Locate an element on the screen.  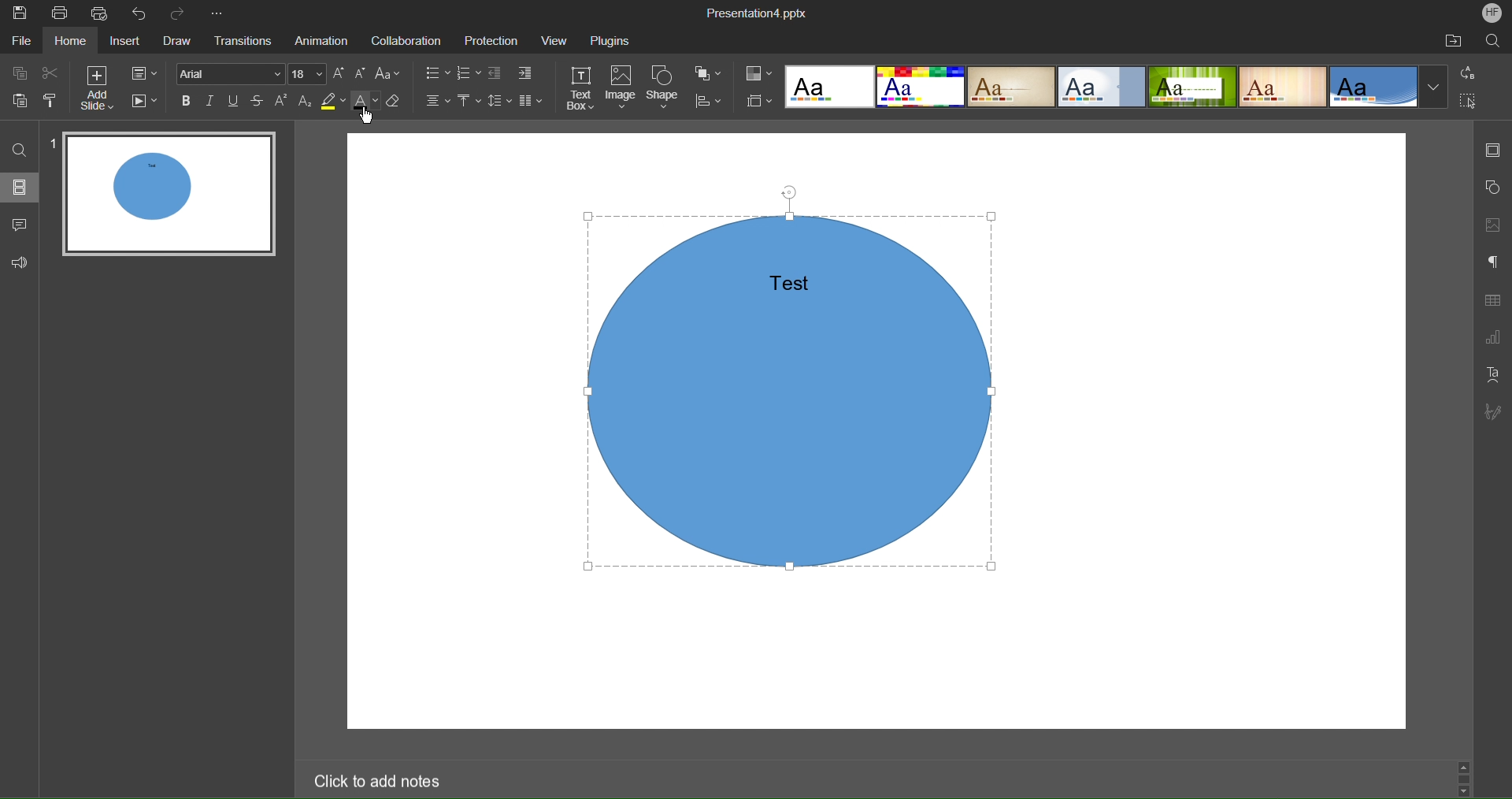
Numbering  is located at coordinates (472, 72).